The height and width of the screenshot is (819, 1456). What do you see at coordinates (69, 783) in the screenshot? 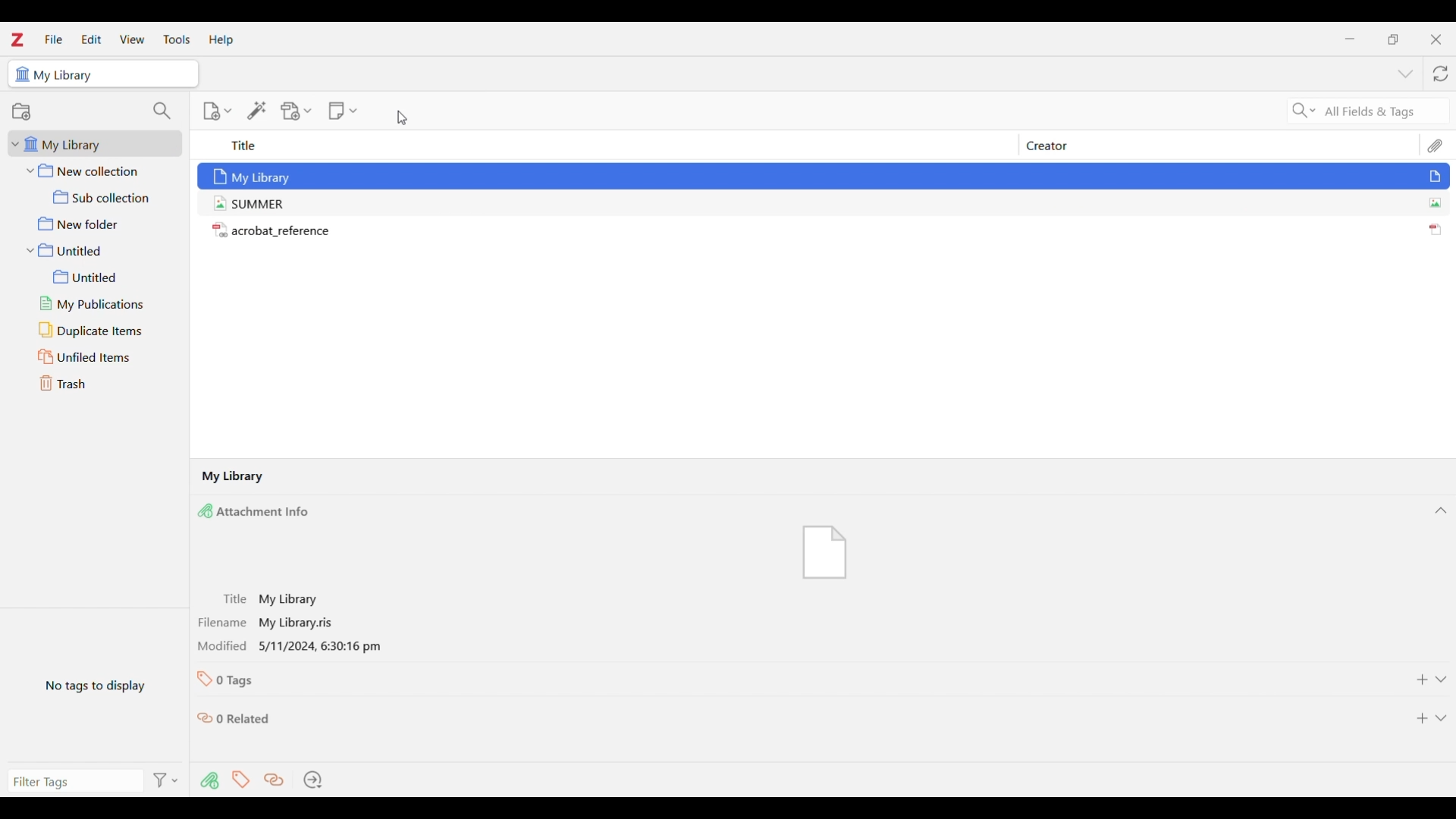
I see `Type filter tags` at bounding box center [69, 783].